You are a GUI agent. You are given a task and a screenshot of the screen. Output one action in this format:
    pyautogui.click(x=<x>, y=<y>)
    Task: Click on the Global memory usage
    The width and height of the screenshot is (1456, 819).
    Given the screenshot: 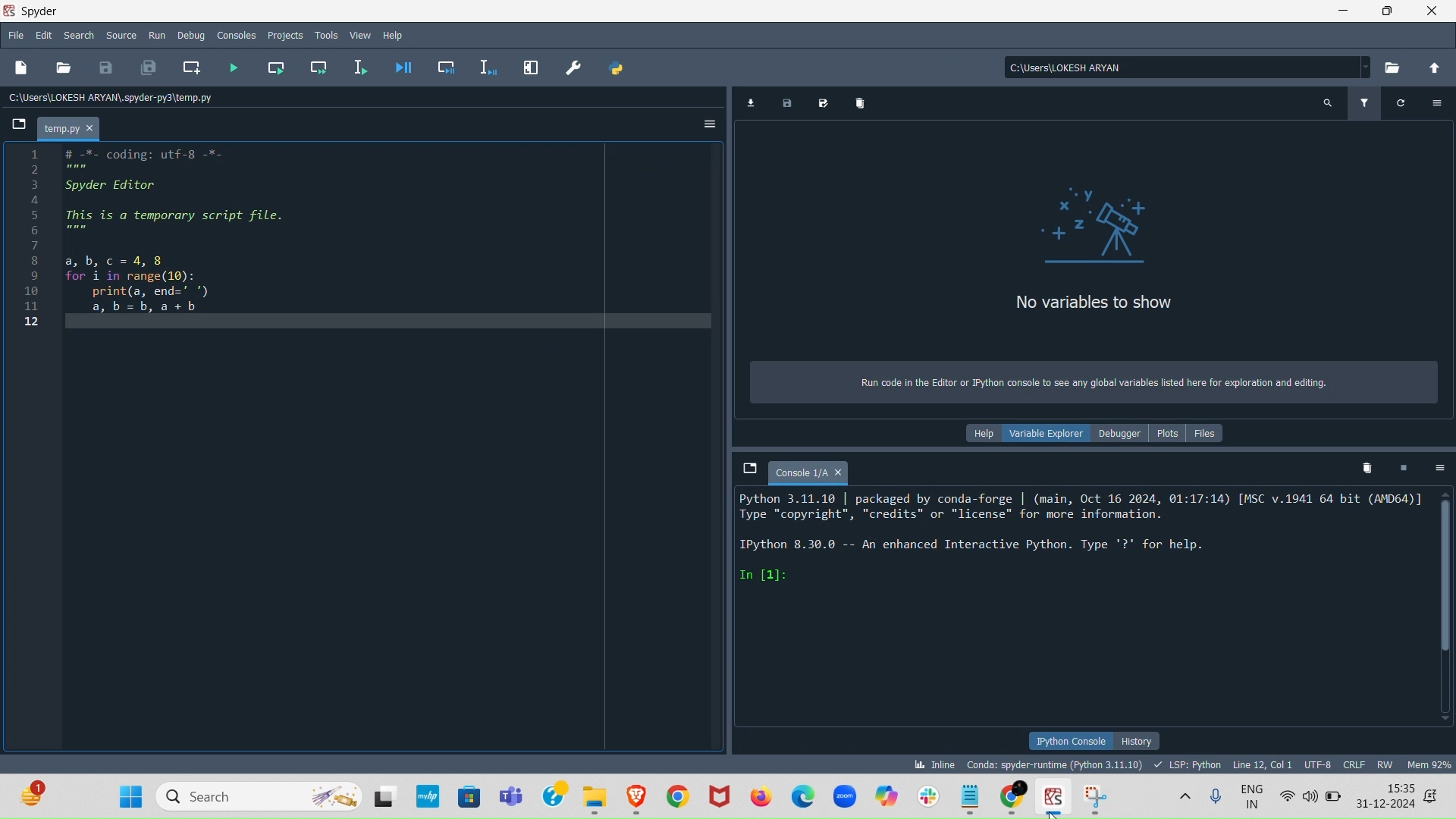 What is the action you would take?
    pyautogui.click(x=1429, y=763)
    